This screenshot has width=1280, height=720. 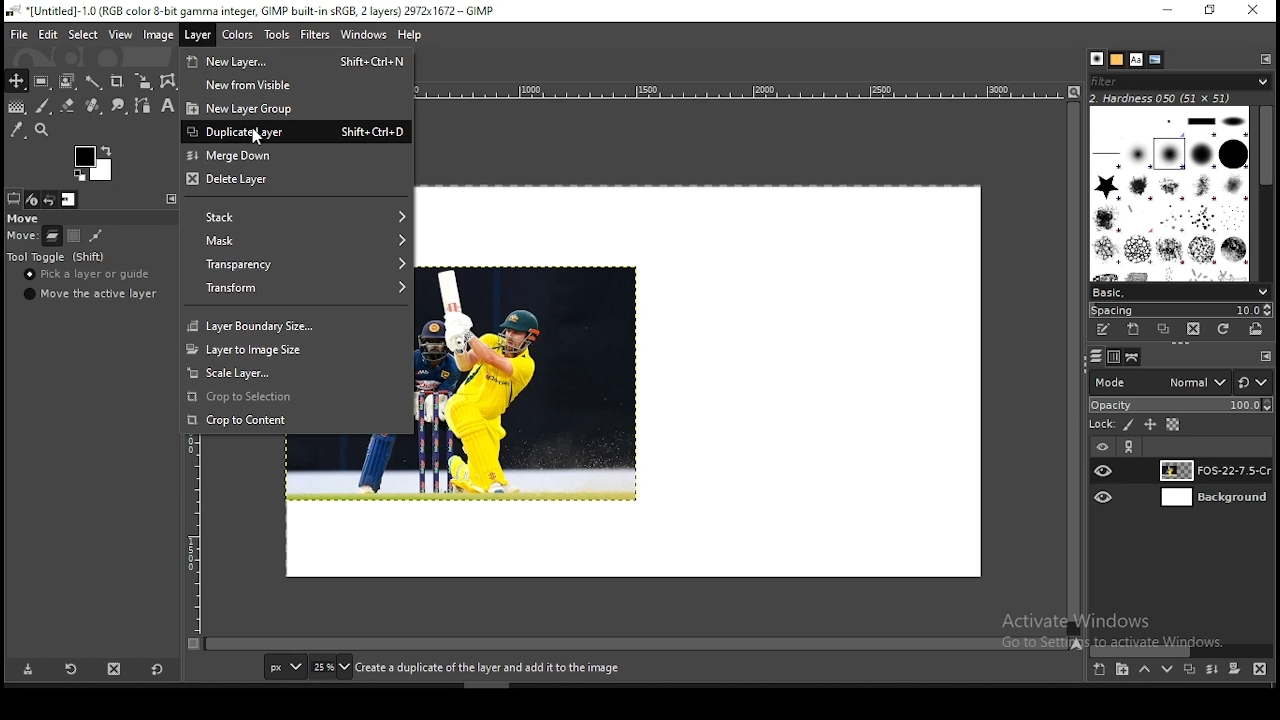 What do you see at coordinates (1267, 190) in the screenshot?
I see `Scroll bar` at bounding box center [1267, 190].